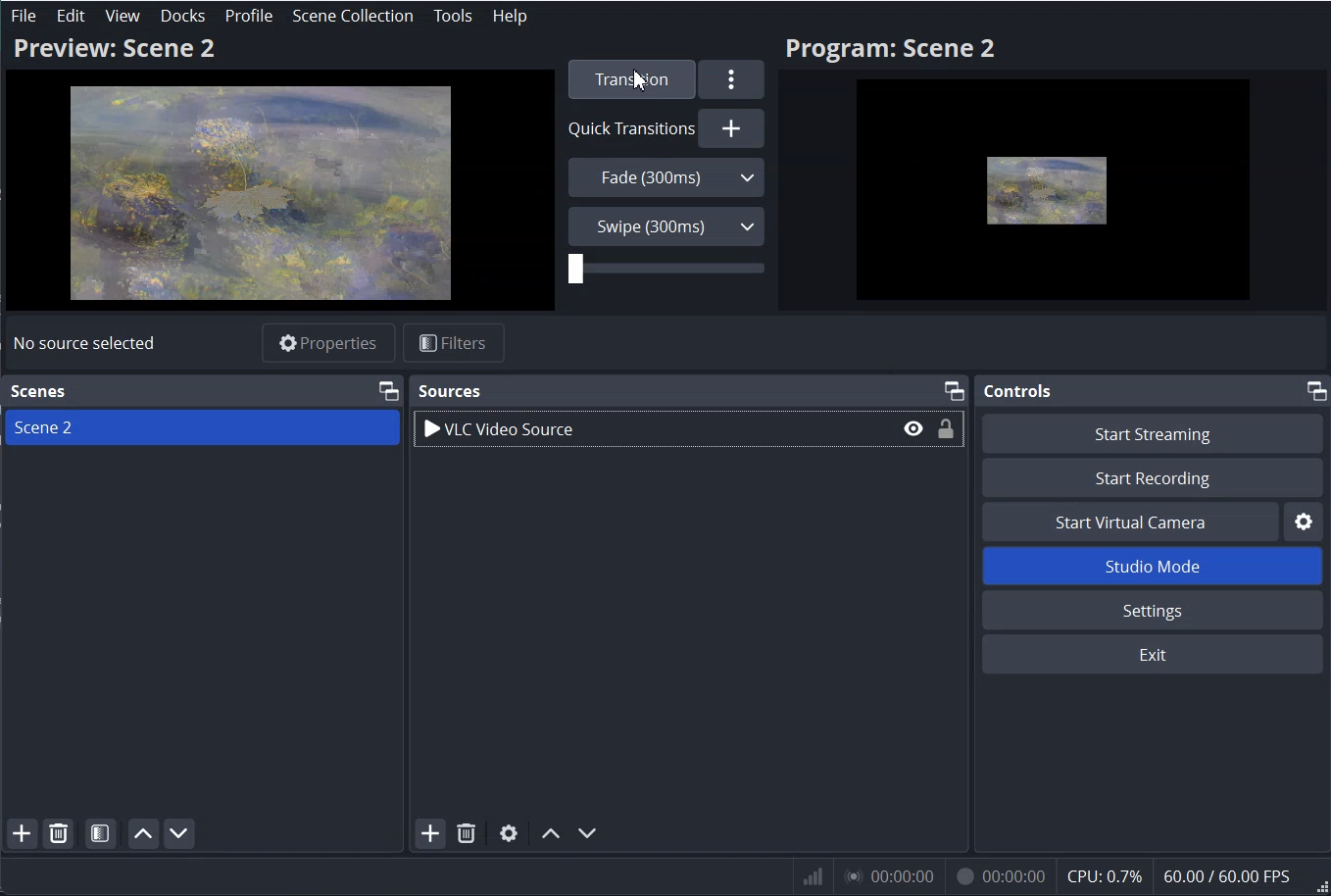 The width and height of the screenshot is (1331, 896). Describe the element at coordinates (453, 16) in the screenshot. I see `Tools` at that location.